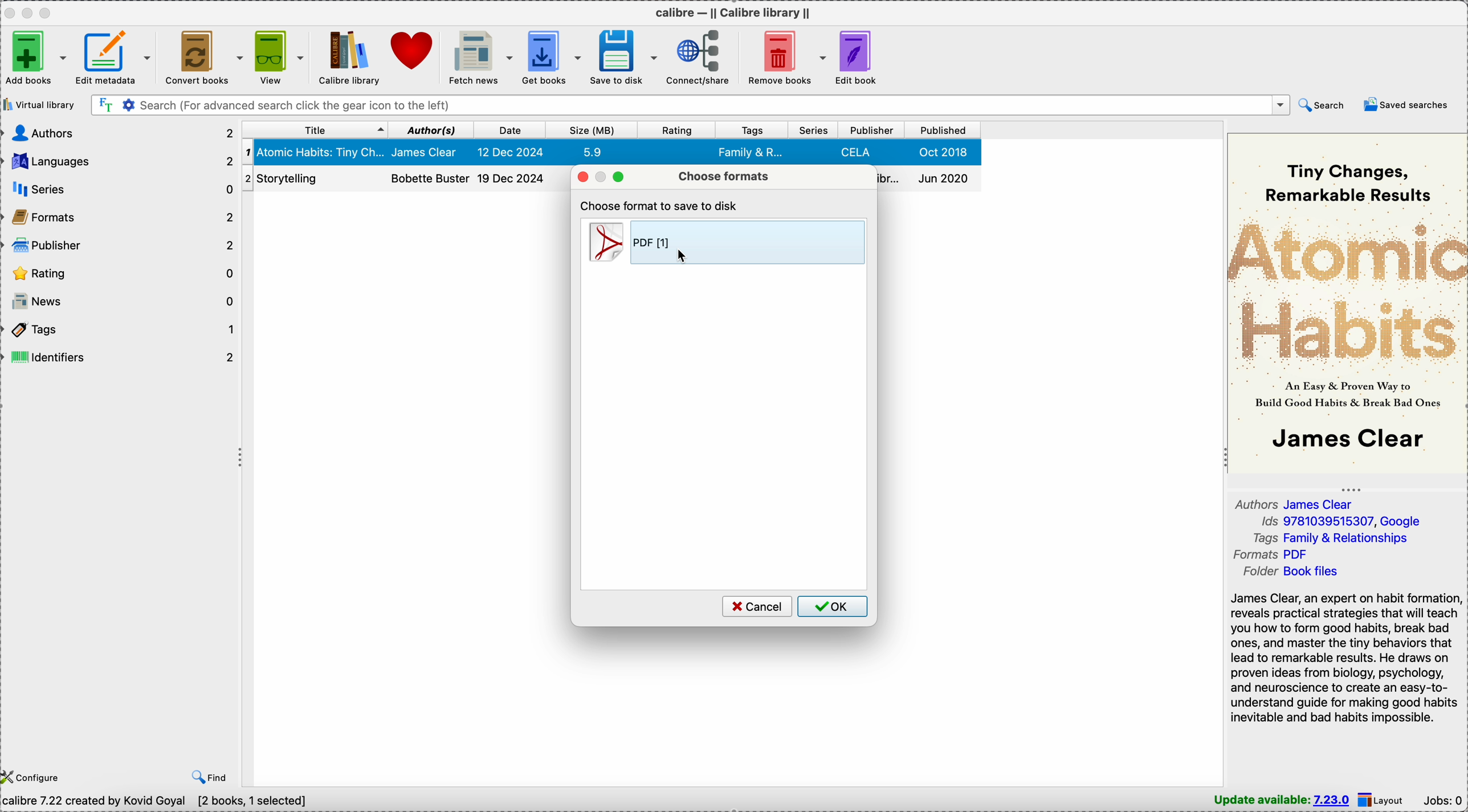  I want to click on author(s), so click(432, 129).